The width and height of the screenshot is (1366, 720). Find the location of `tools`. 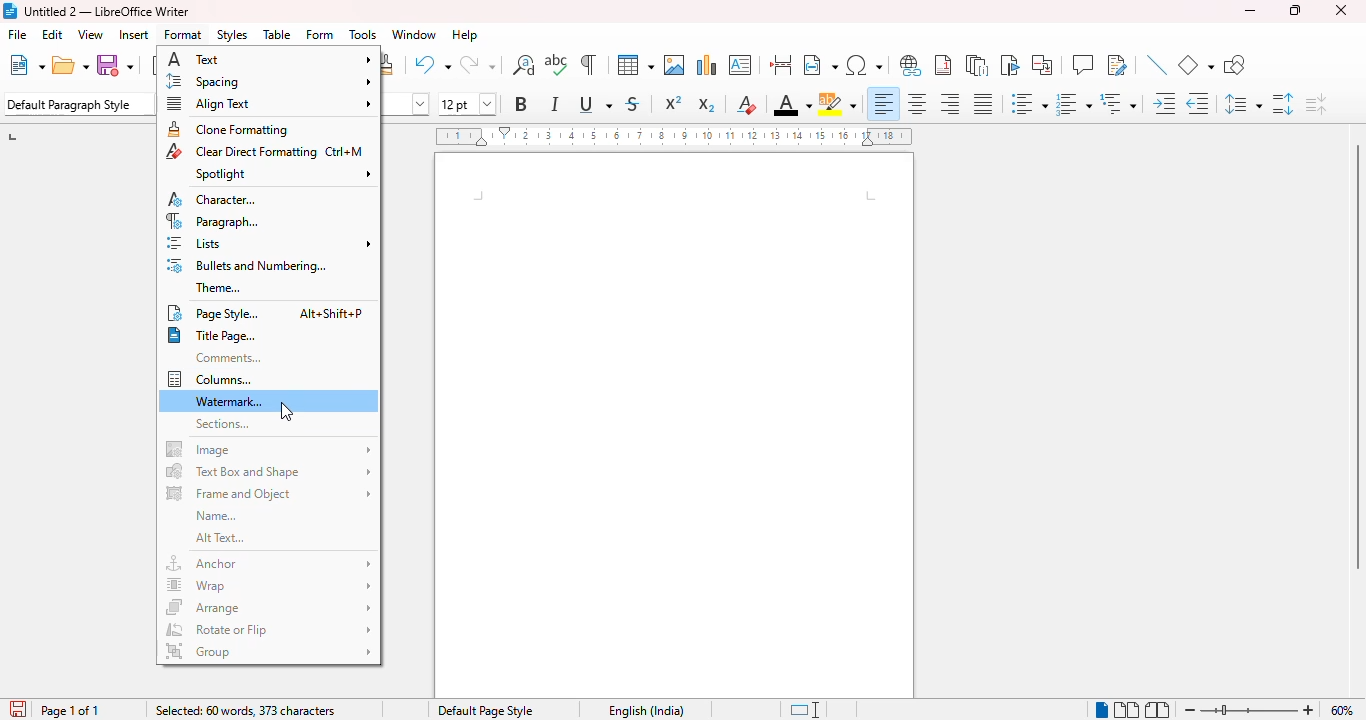

tools is located at coordinates (363, 35).